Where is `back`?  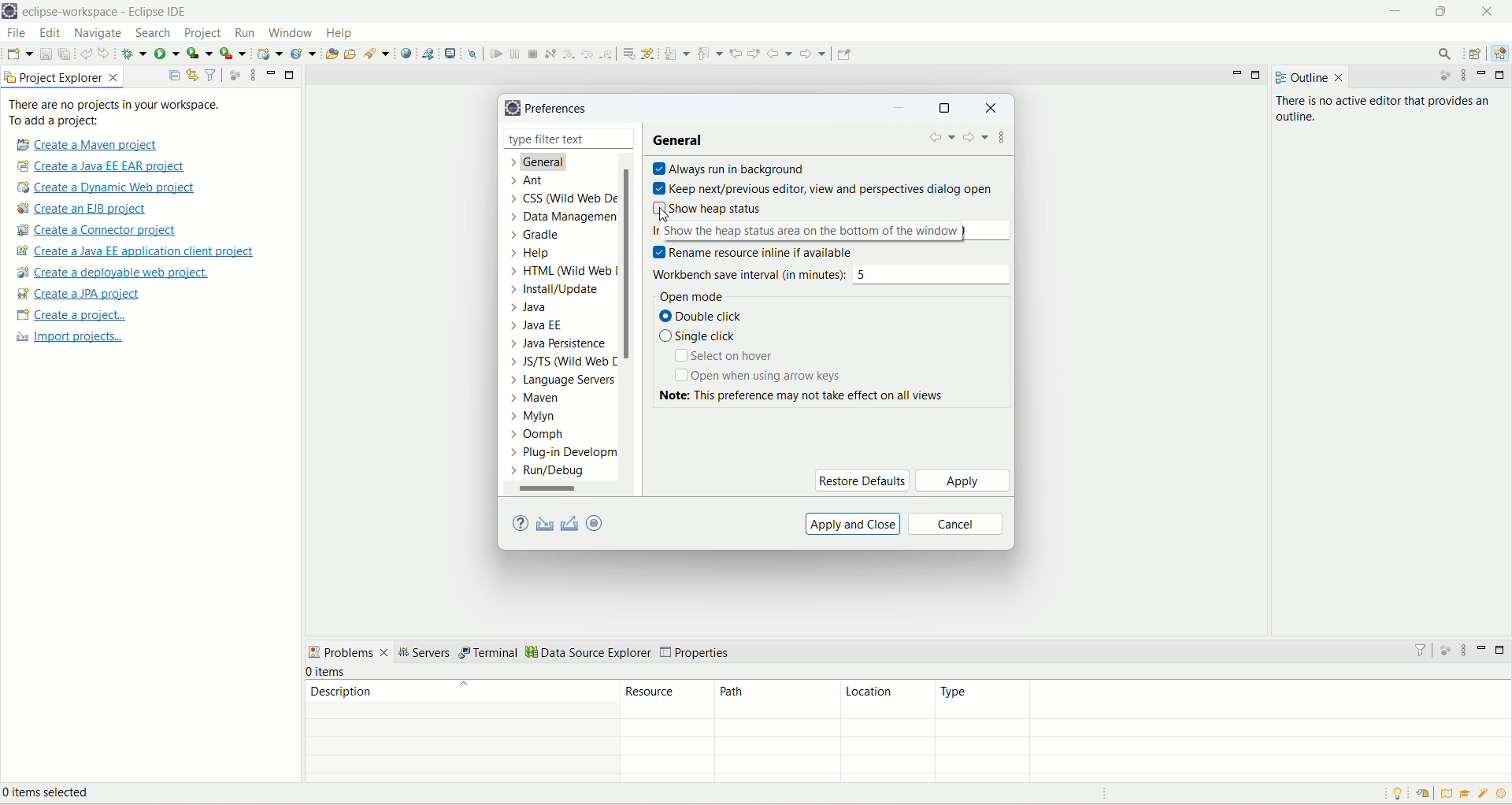
back is located at coordinates (941, 140).